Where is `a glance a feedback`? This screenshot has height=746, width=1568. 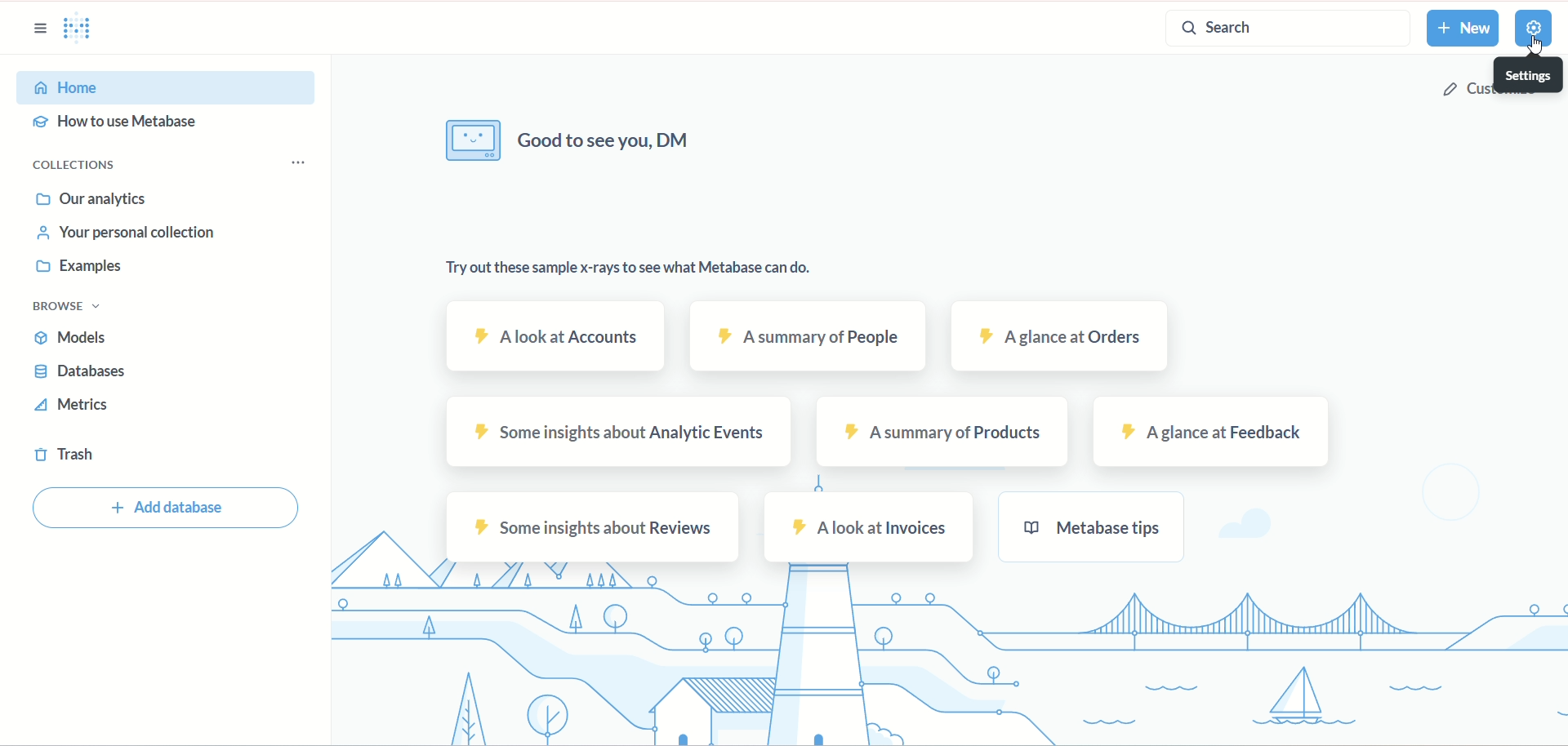
a glance a feedback is located at coordinates (1217, 433).